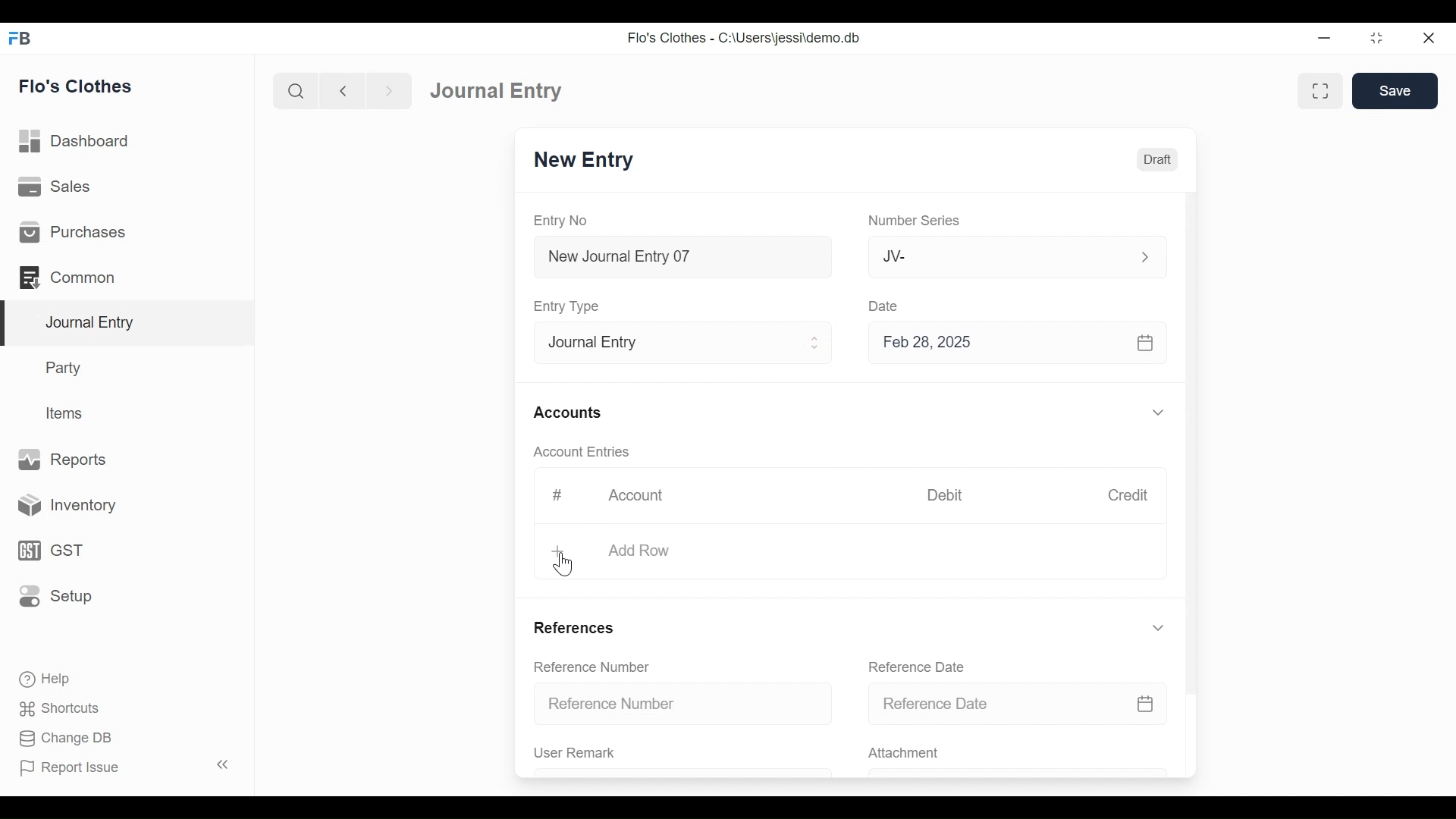 The width and height of the screenshot is (1456, 819). What do you see at coordinates (1376, 38) in the screenshot?
I see `Restore` at bounding box center [1376, 38].